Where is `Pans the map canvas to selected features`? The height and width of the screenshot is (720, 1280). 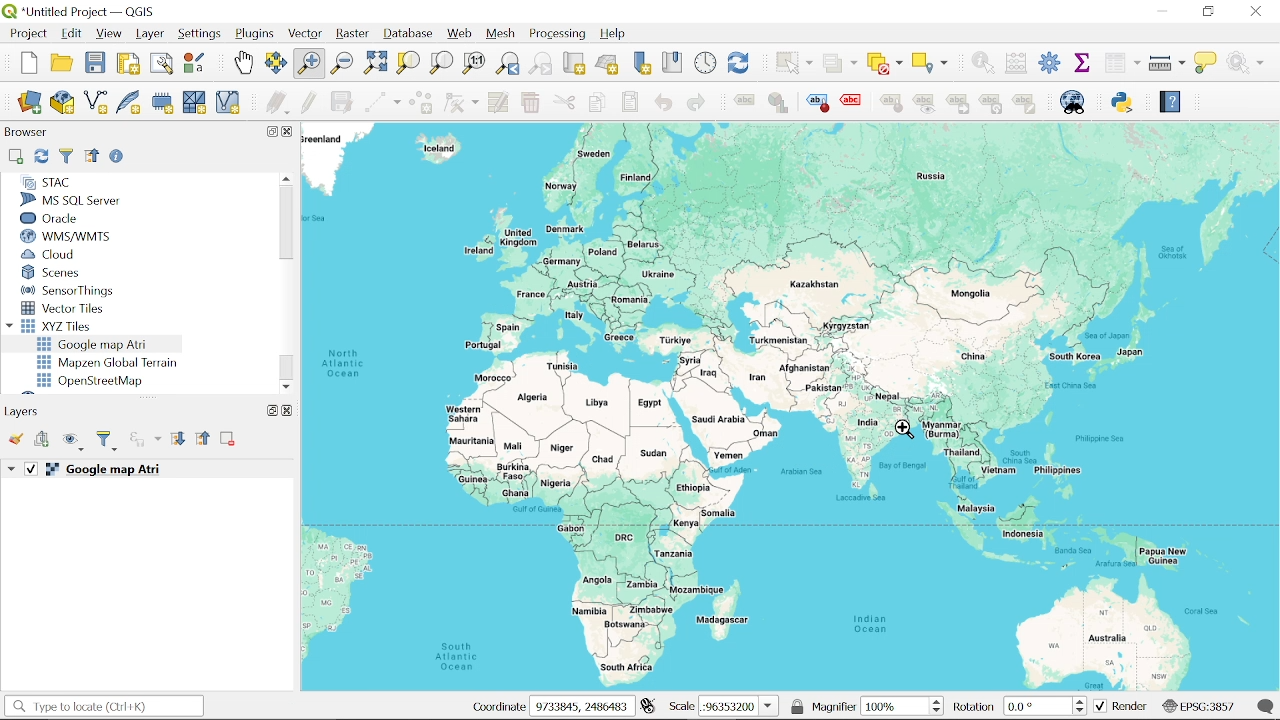
Pans the map canvas to selected features is located at coordinates (276, 64).